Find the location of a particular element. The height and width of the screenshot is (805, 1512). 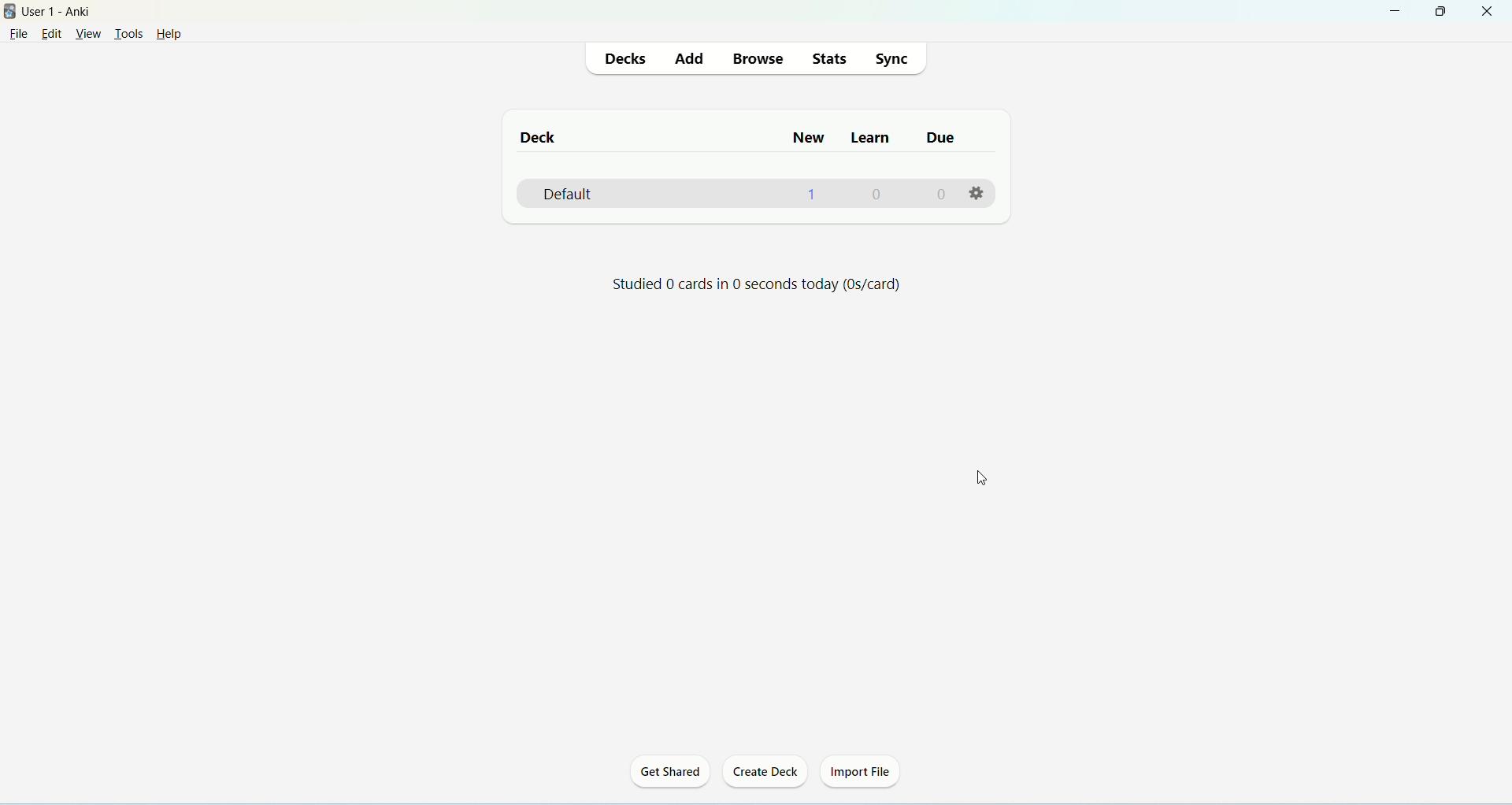

stats is located at coordinates (828, 58).